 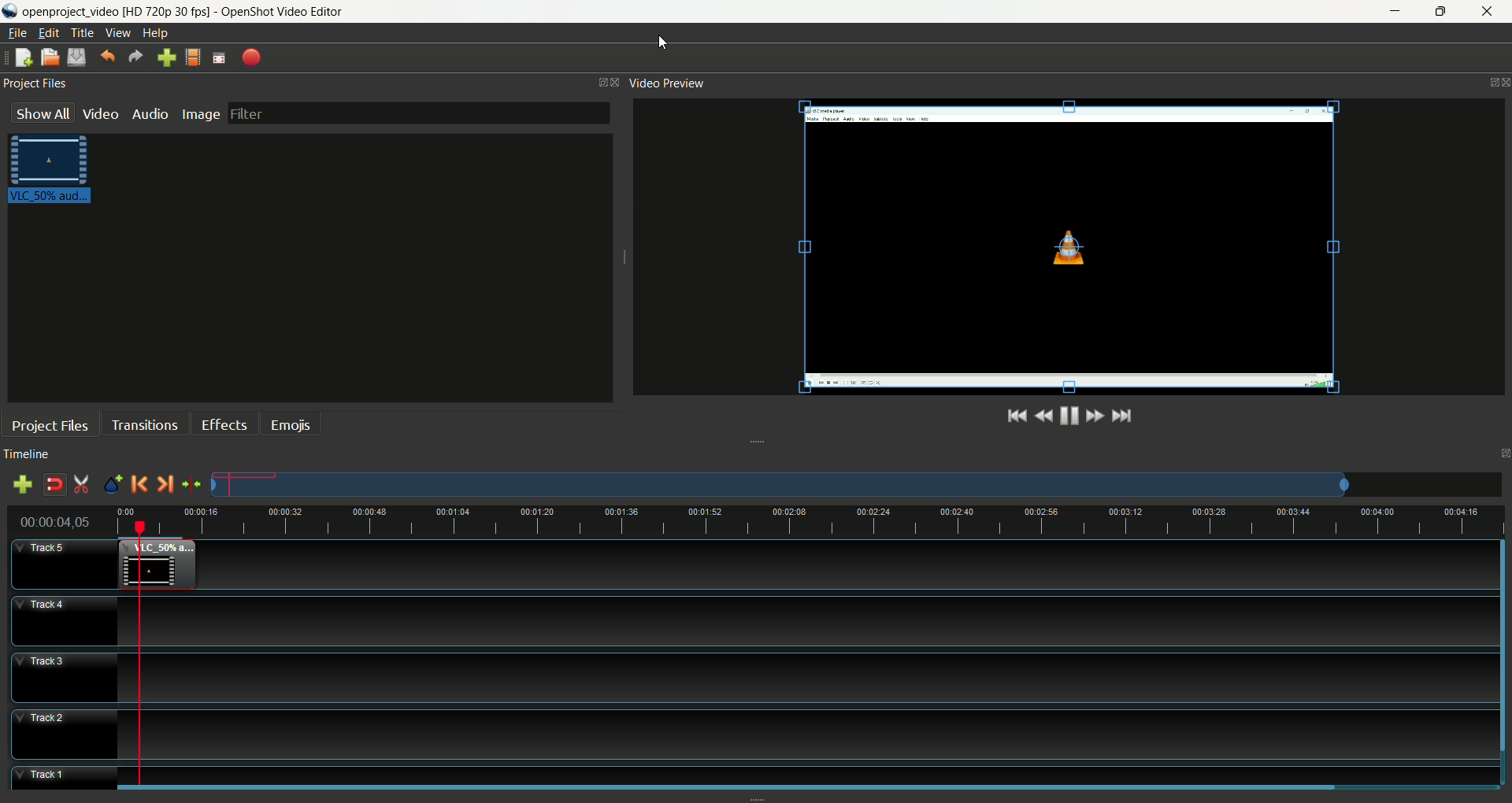 I want to click on video, so click(x=102, y=113).